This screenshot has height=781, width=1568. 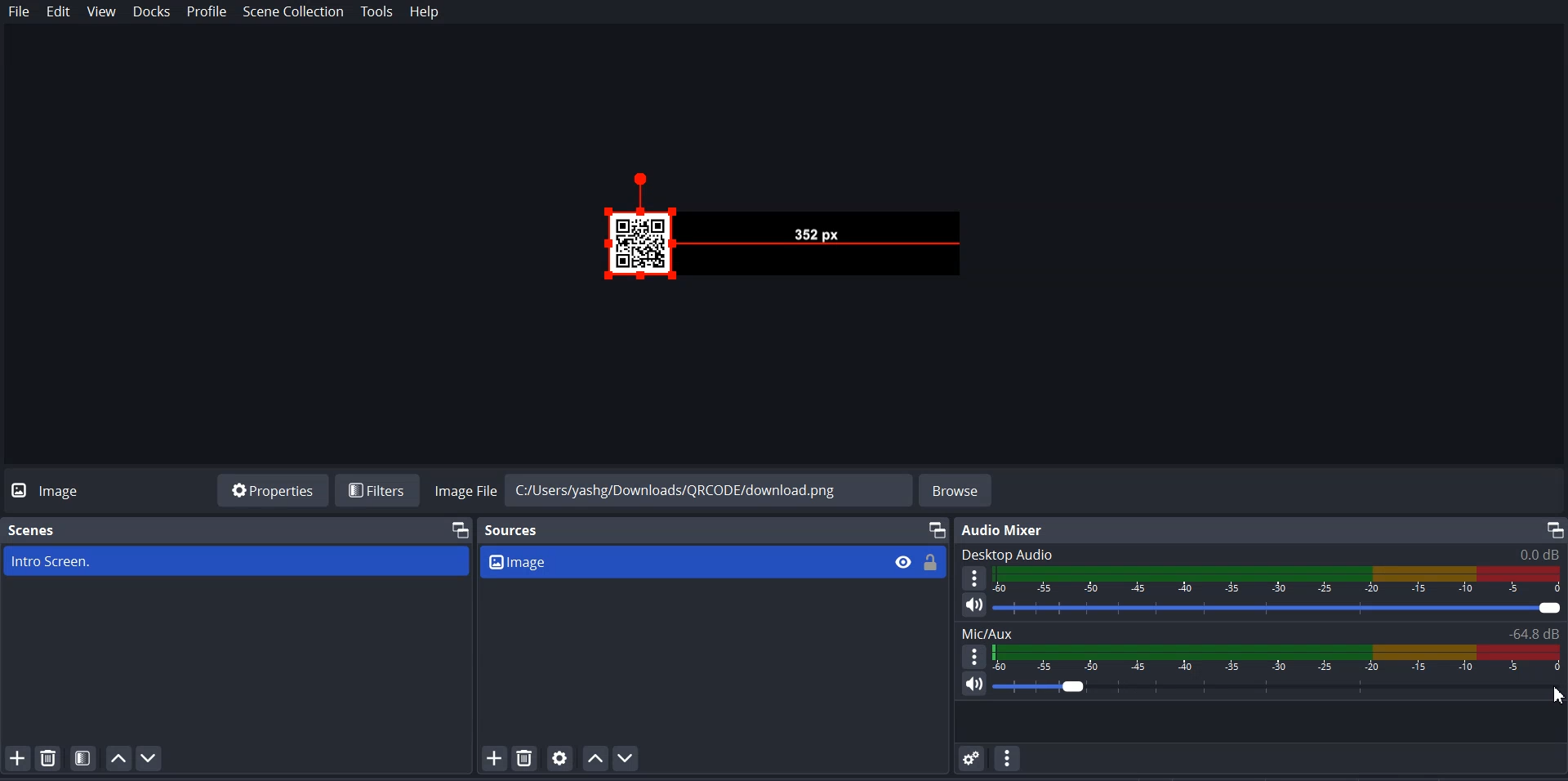 What do you see at coordinates (513, 532) in the screenshot?
I see `Source` at bounding box center [513, 532].